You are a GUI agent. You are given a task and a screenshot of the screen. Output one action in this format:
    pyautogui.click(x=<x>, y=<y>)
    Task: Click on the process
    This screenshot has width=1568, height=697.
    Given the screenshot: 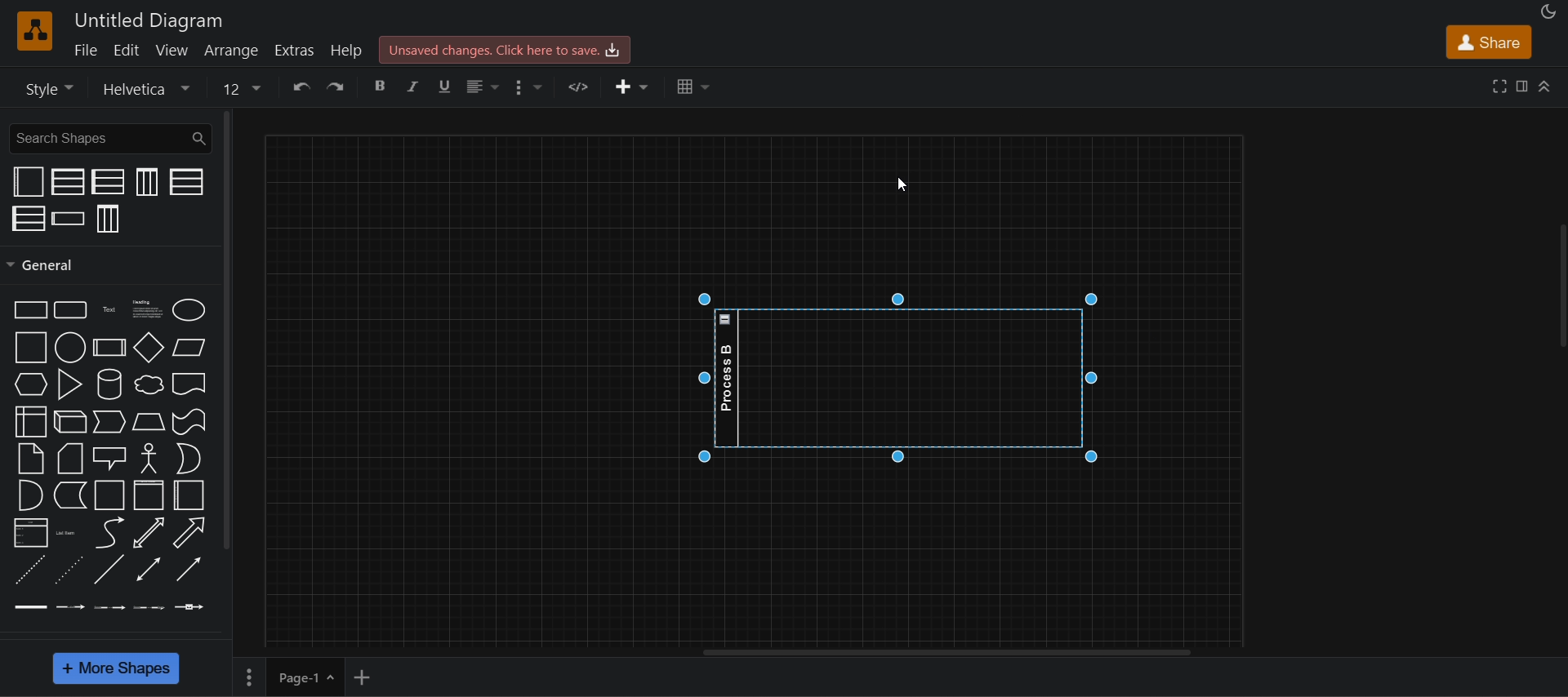 What is the action you would take?
    pyautogui.click(x=109, y=348)
    